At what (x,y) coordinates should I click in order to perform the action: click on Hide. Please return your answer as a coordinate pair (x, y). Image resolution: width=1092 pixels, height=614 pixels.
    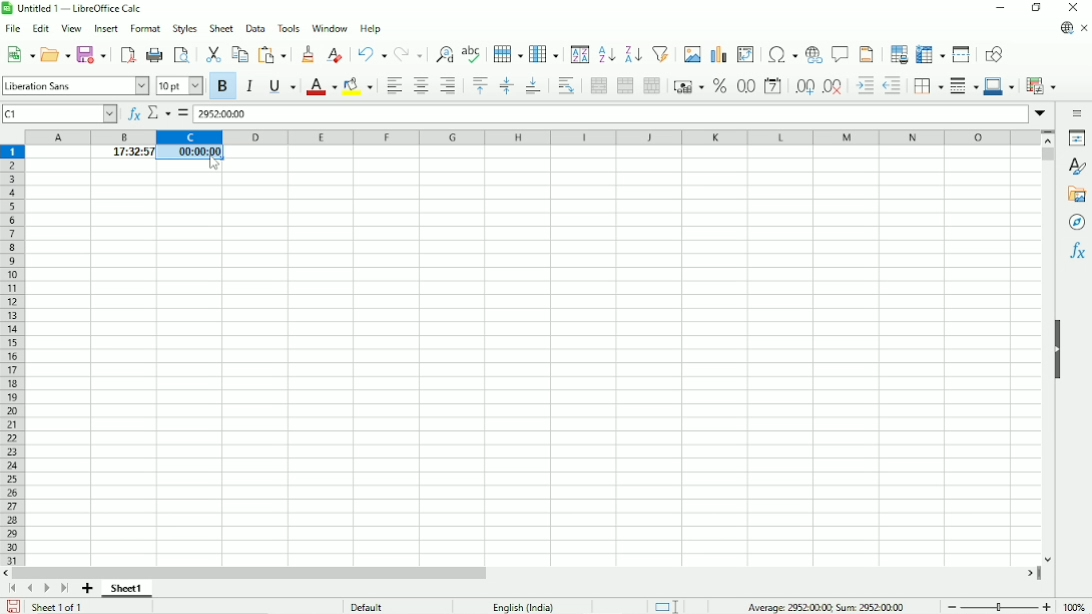
    Looking at the image, I should click on (1060, 354).